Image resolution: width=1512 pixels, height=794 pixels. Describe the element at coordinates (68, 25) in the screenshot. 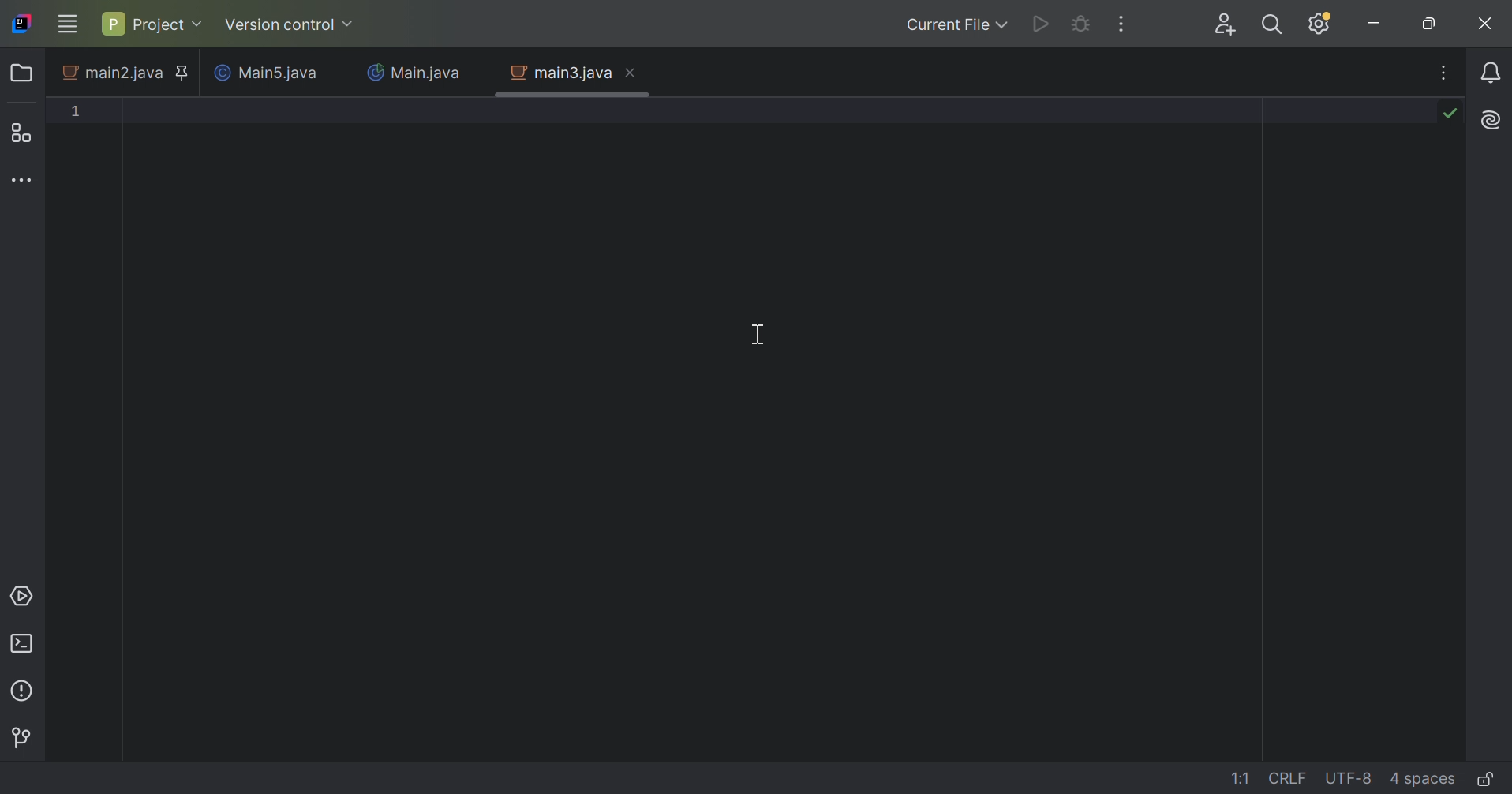

I see `Main menu` at that location.